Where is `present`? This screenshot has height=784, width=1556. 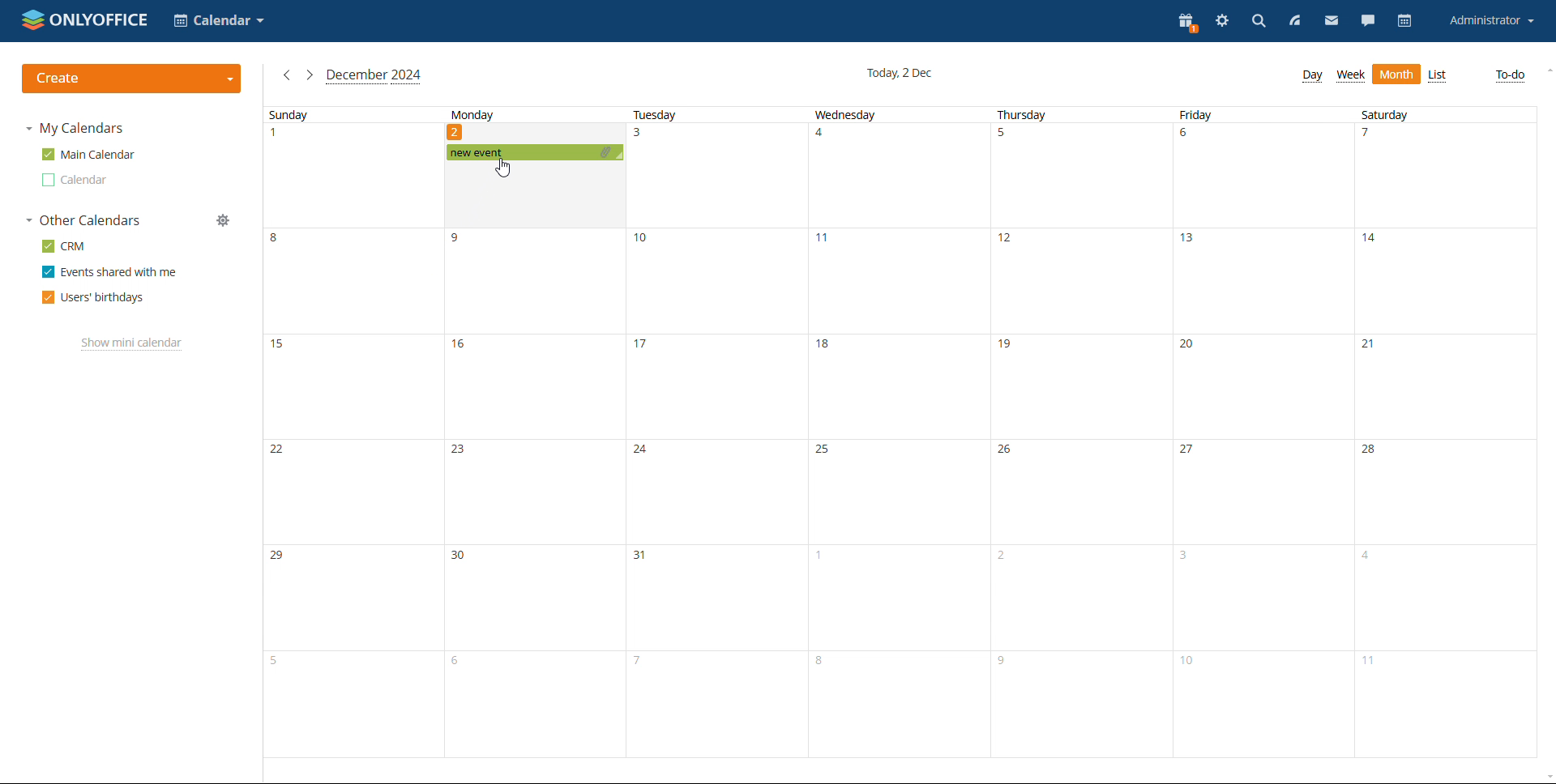 present is located at coordinates (1186, 21).